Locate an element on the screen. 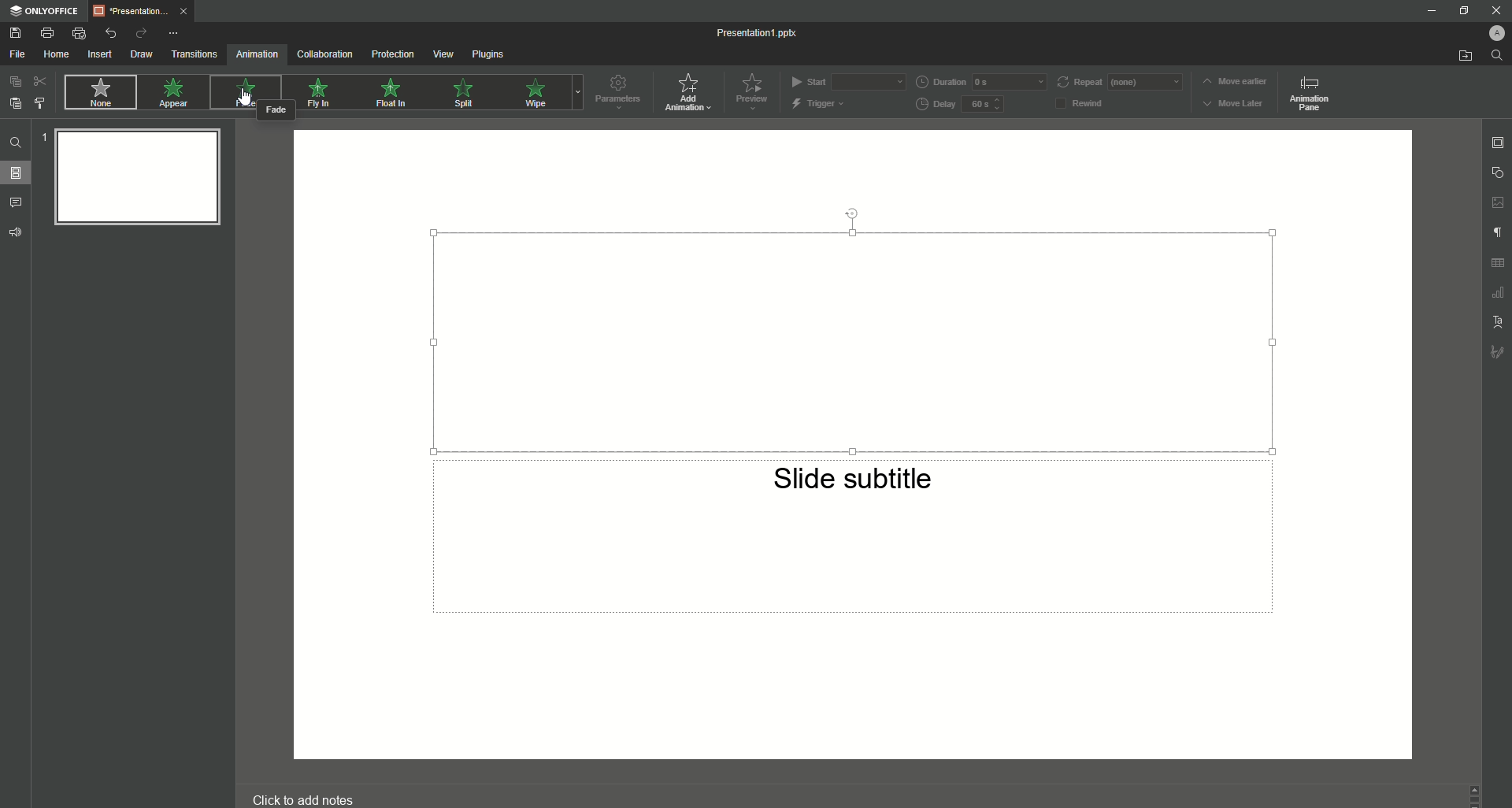 This screenshot has width=1512, height=808. Shape Settings is located at coordinates (1495, 172).